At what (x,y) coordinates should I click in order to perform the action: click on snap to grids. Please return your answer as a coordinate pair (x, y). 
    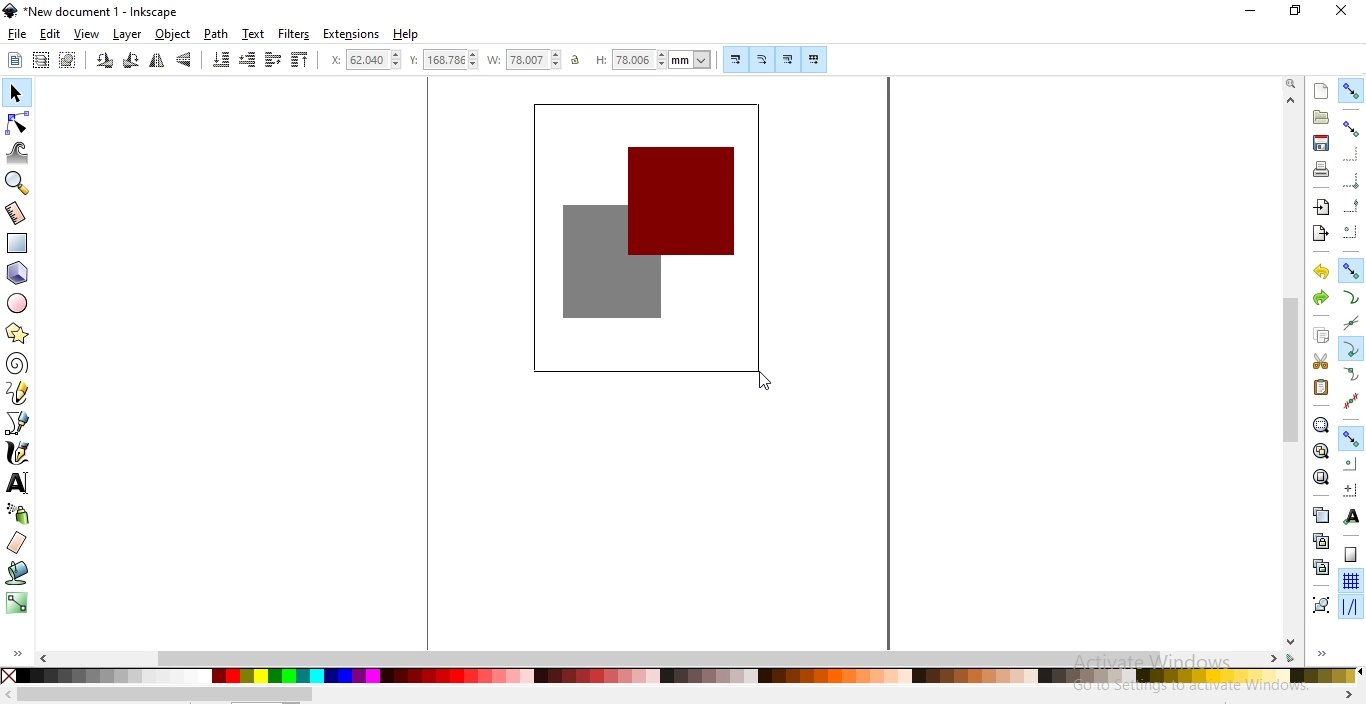
    Looking at the image, I should click on (1350, 582).